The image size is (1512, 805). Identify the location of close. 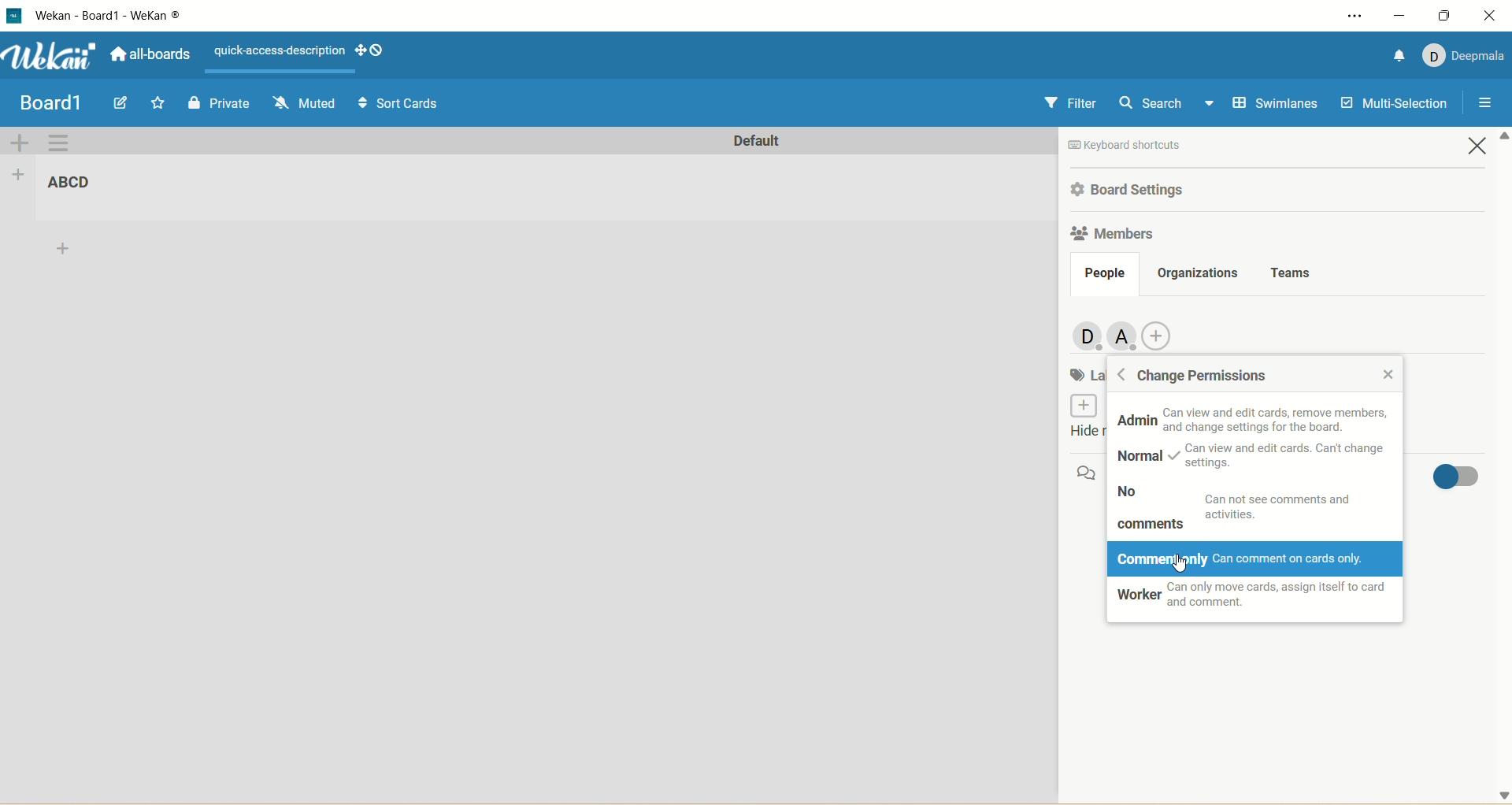
(1480, 148).